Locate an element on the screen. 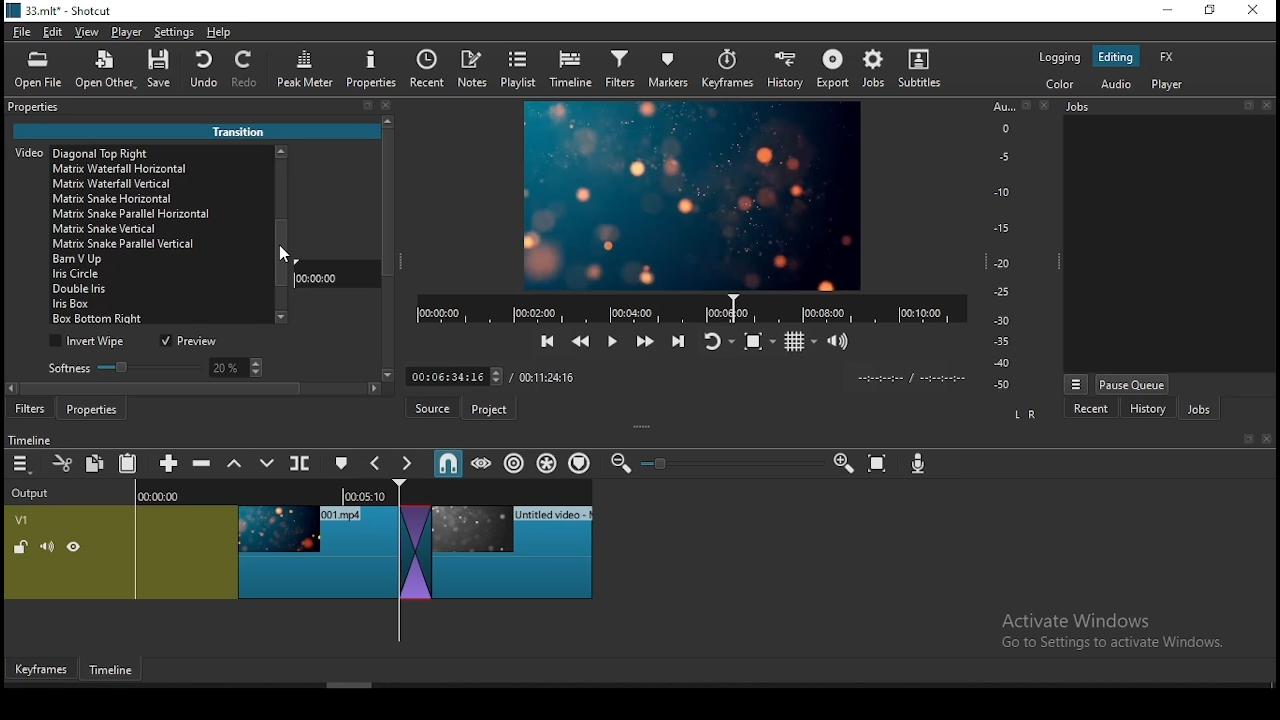 This screenshot has width=1280, height=720. zoom timeline to fit is located at coordinates (879, 466).